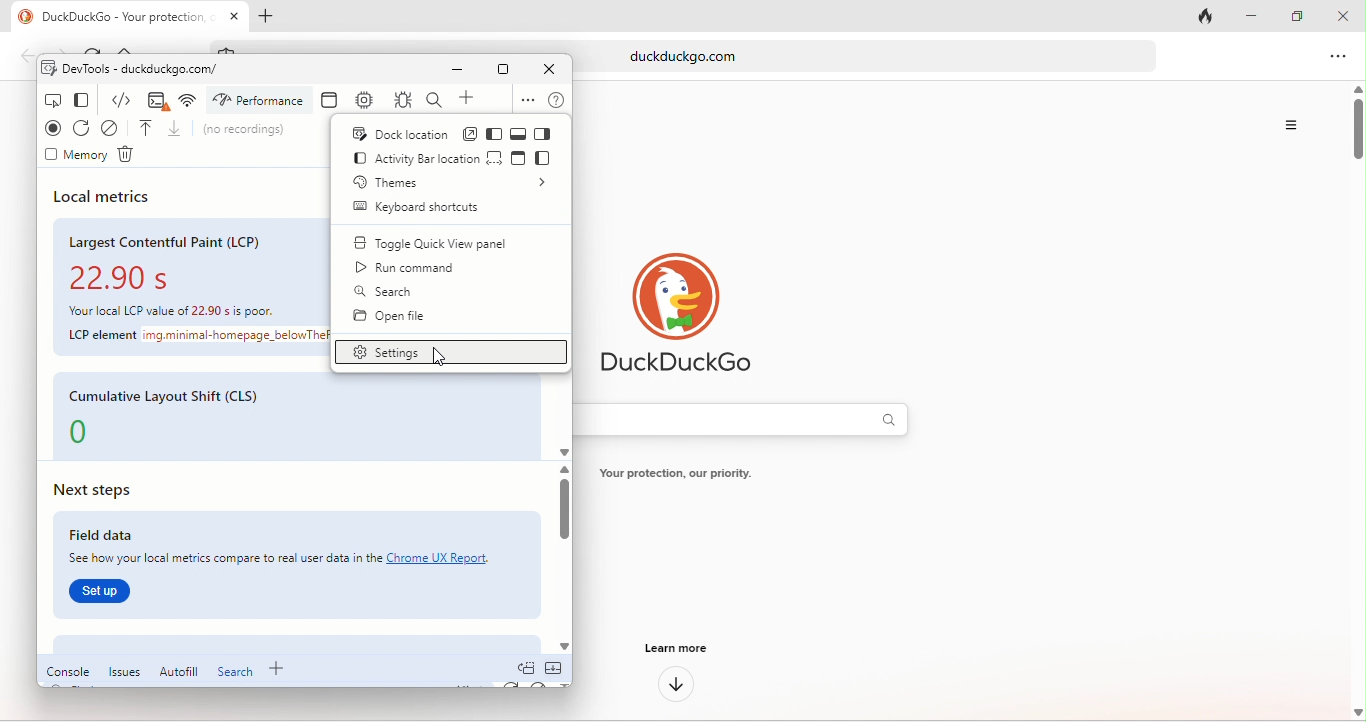 This screenshot has height=722, width=1366. Describe the element at coordinates (392, 292) in the screenshot. I see `search` at that location.